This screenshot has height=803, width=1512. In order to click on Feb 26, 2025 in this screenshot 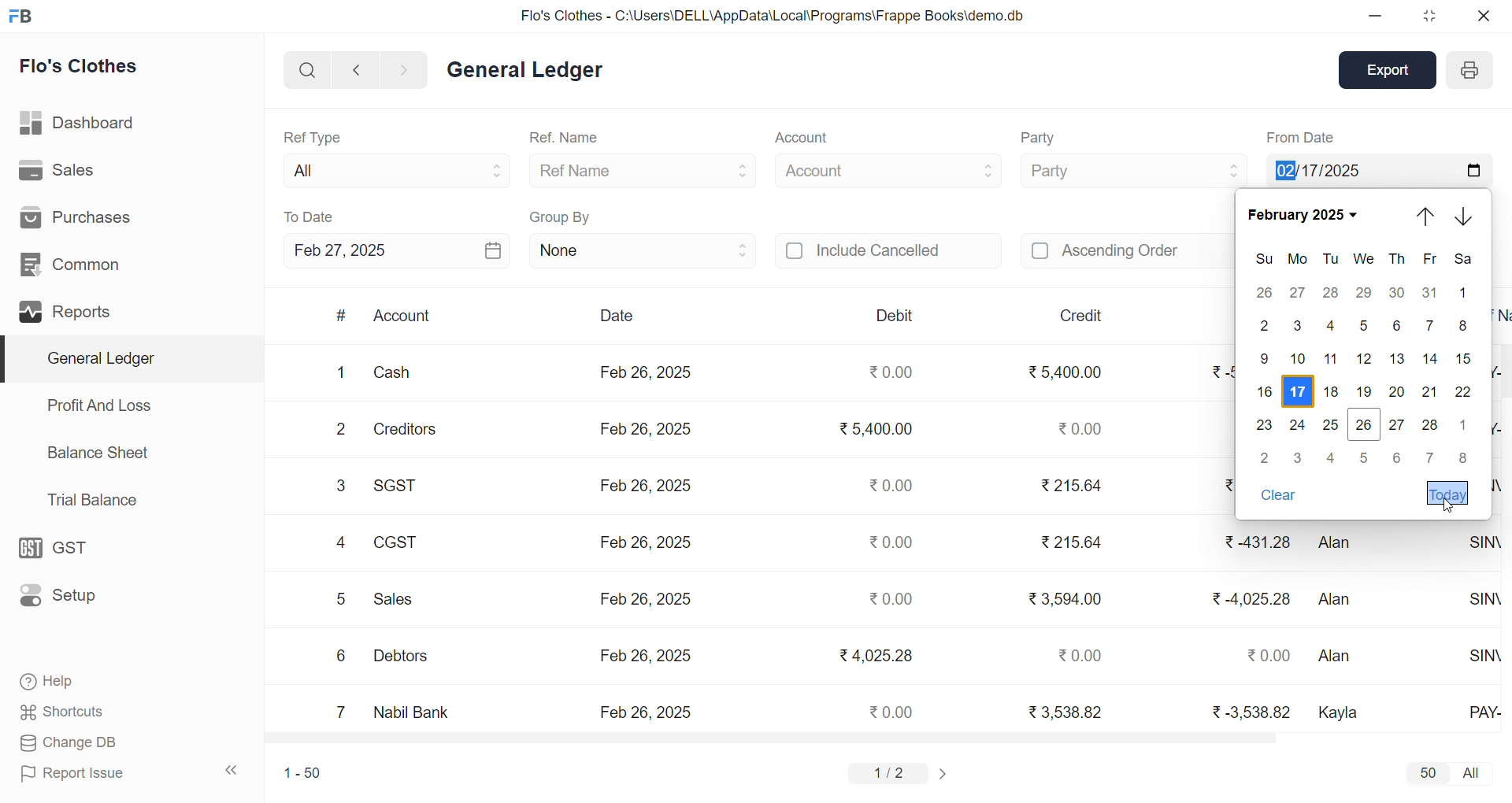, I will do `click(646, 373)`.